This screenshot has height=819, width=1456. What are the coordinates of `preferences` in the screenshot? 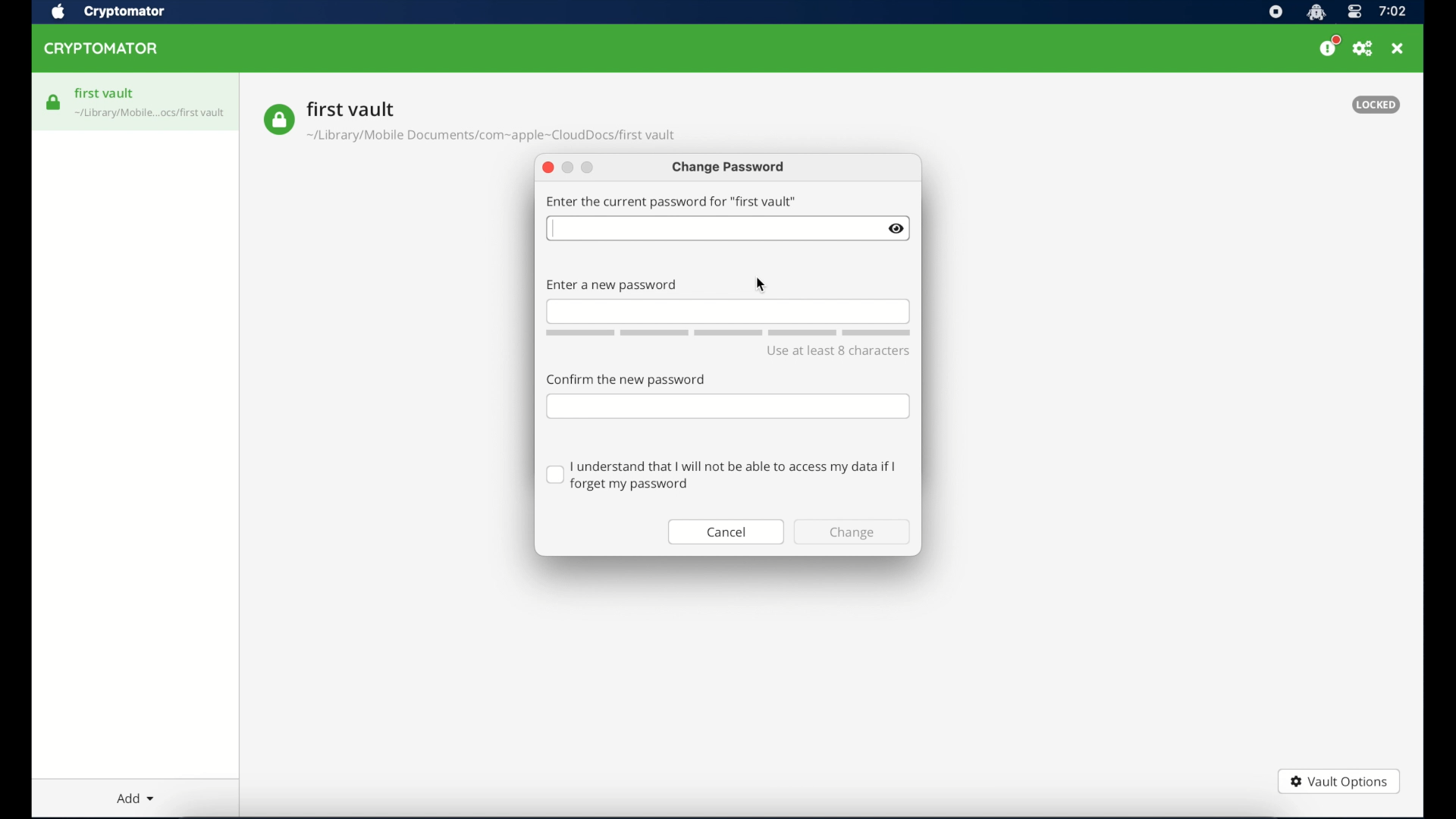 It's located at (1363, 49).